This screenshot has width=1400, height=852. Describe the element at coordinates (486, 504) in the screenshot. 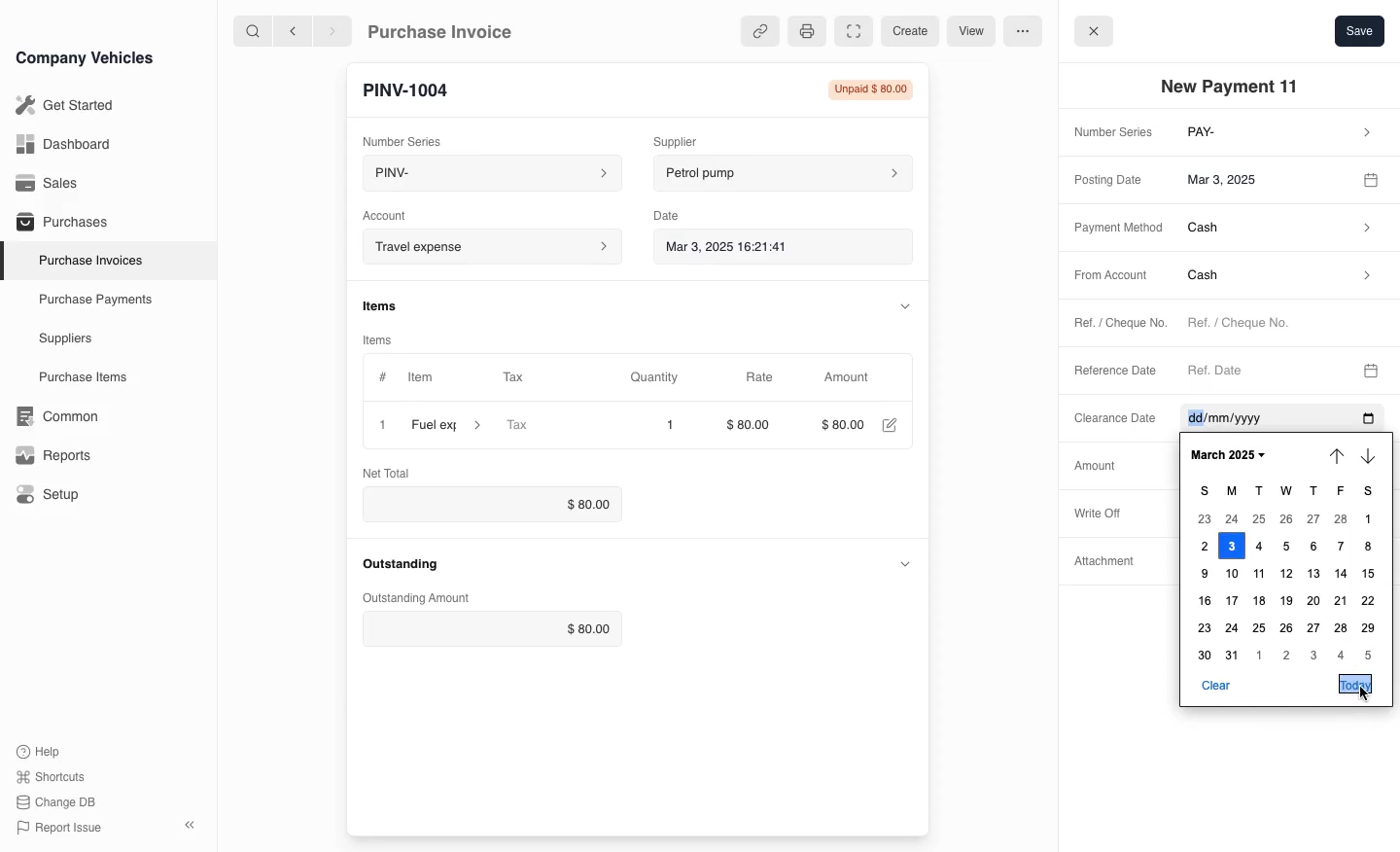

I see `$0.00` at that location.